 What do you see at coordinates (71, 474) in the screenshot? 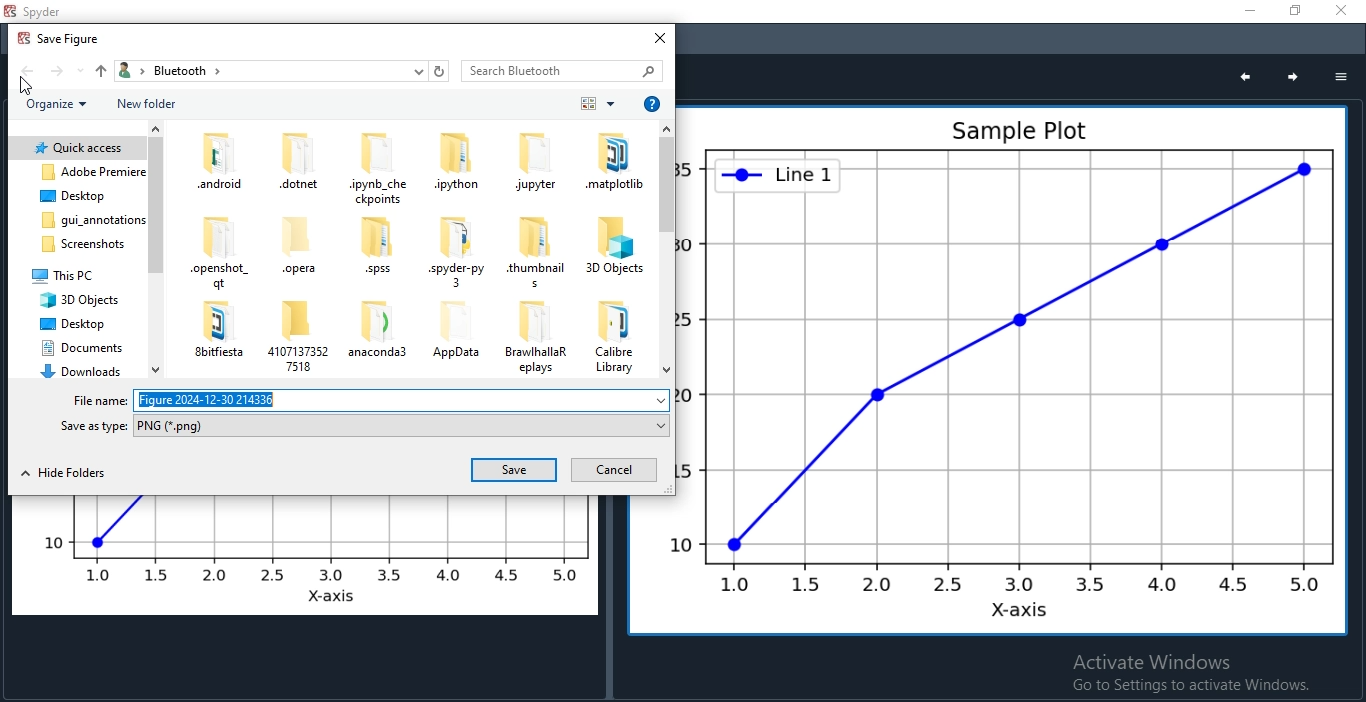
I see `hide folders` at bounding box center [71, 474].